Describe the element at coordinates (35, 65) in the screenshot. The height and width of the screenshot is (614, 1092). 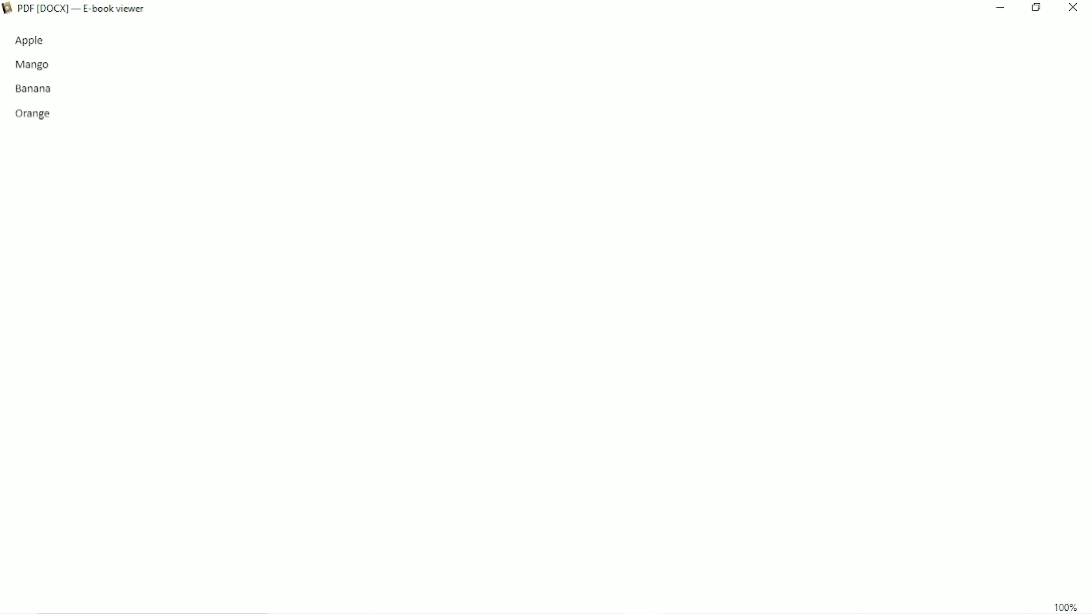
I see `Mango` at that location.